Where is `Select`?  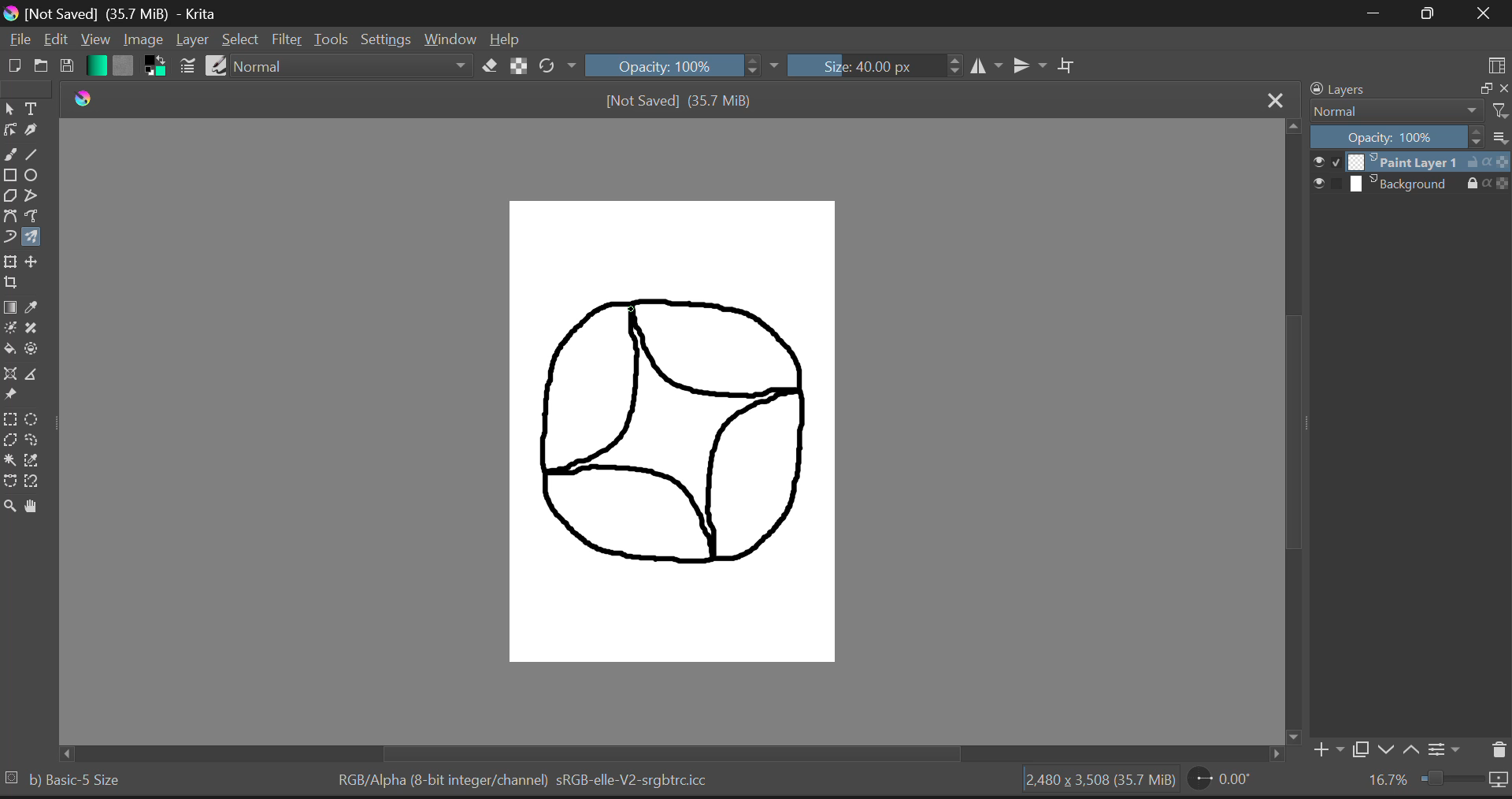 Select is located at coordinates (9, 109).